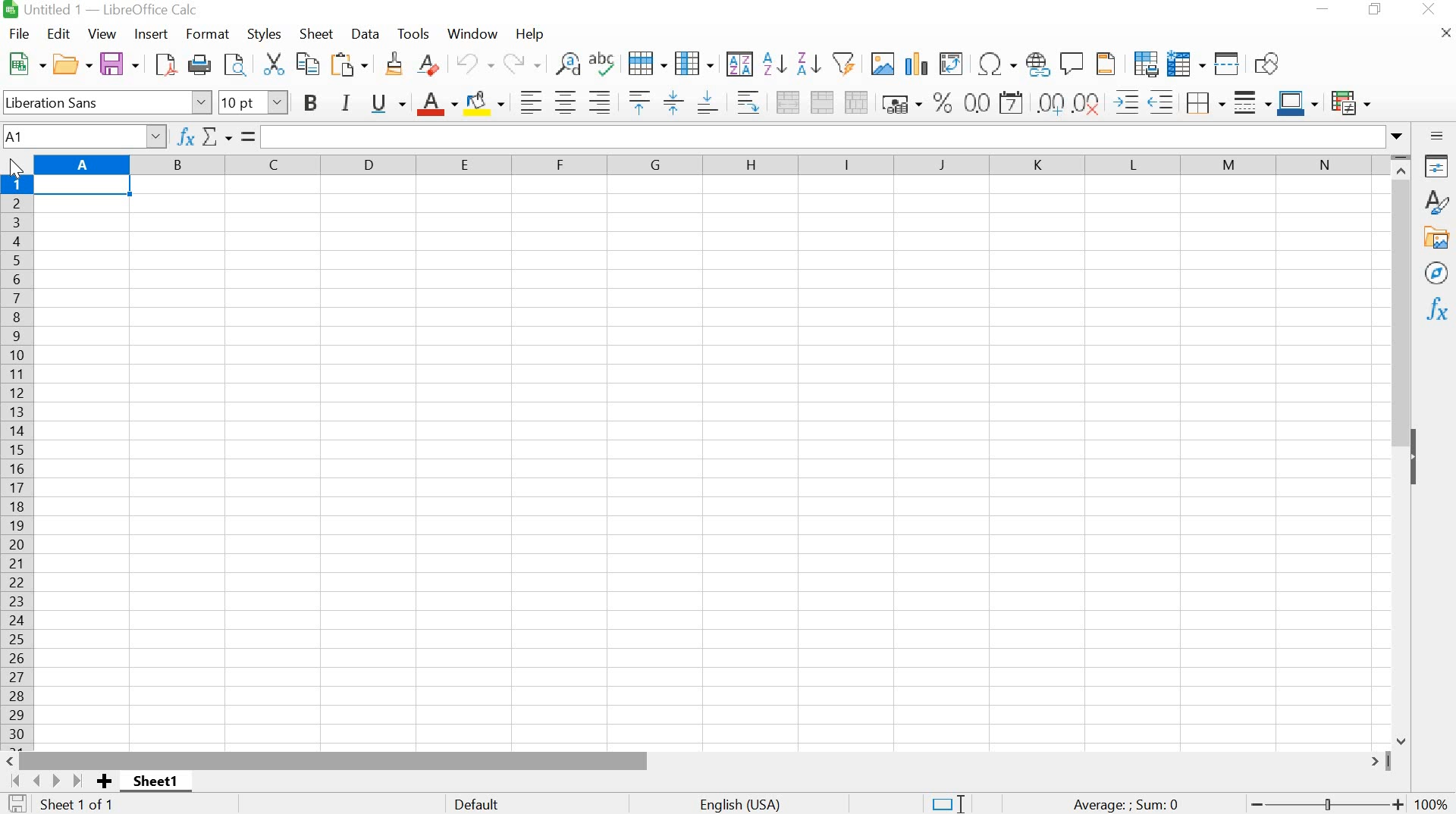 The height and width of the screenshot is (814, 1456). I want to click on Name Box, so click(83, 135).